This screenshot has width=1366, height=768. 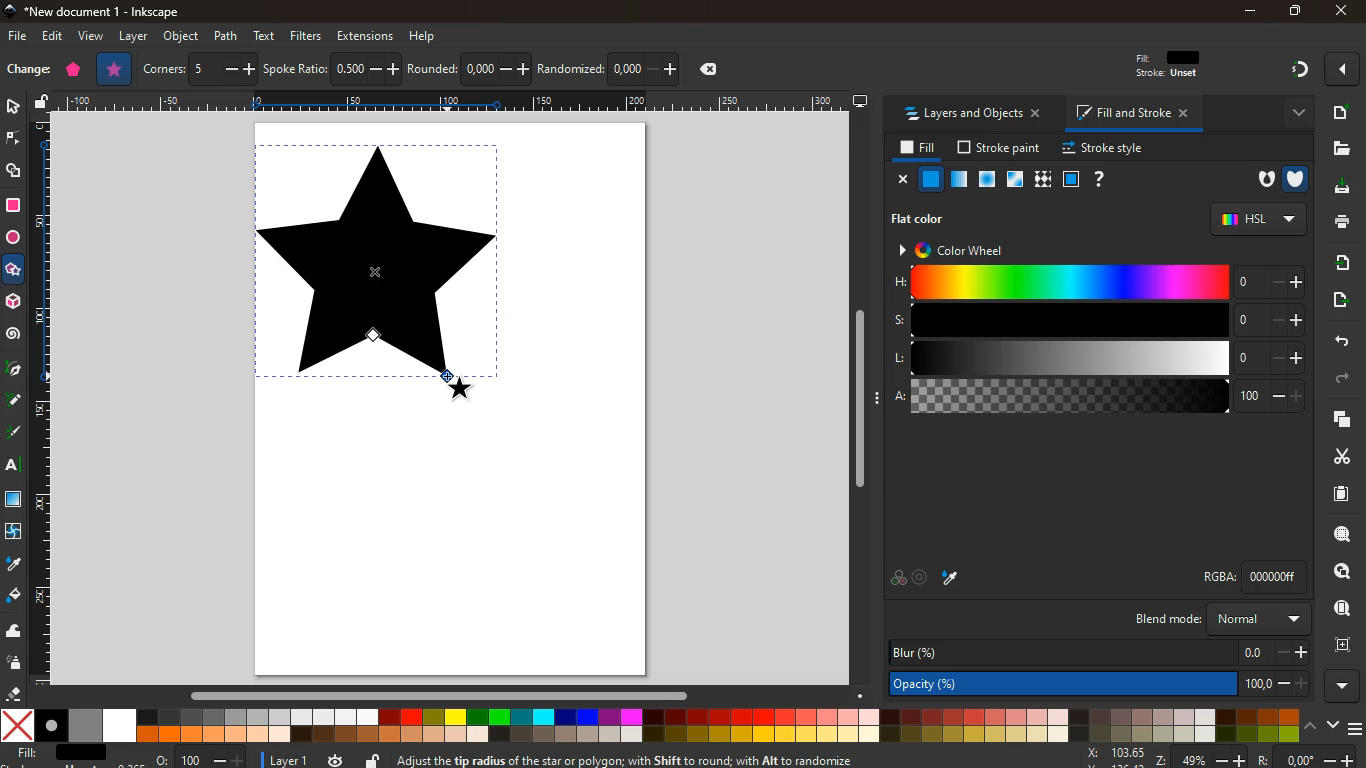 I want to click on spiral, so click(x=15, y=338).